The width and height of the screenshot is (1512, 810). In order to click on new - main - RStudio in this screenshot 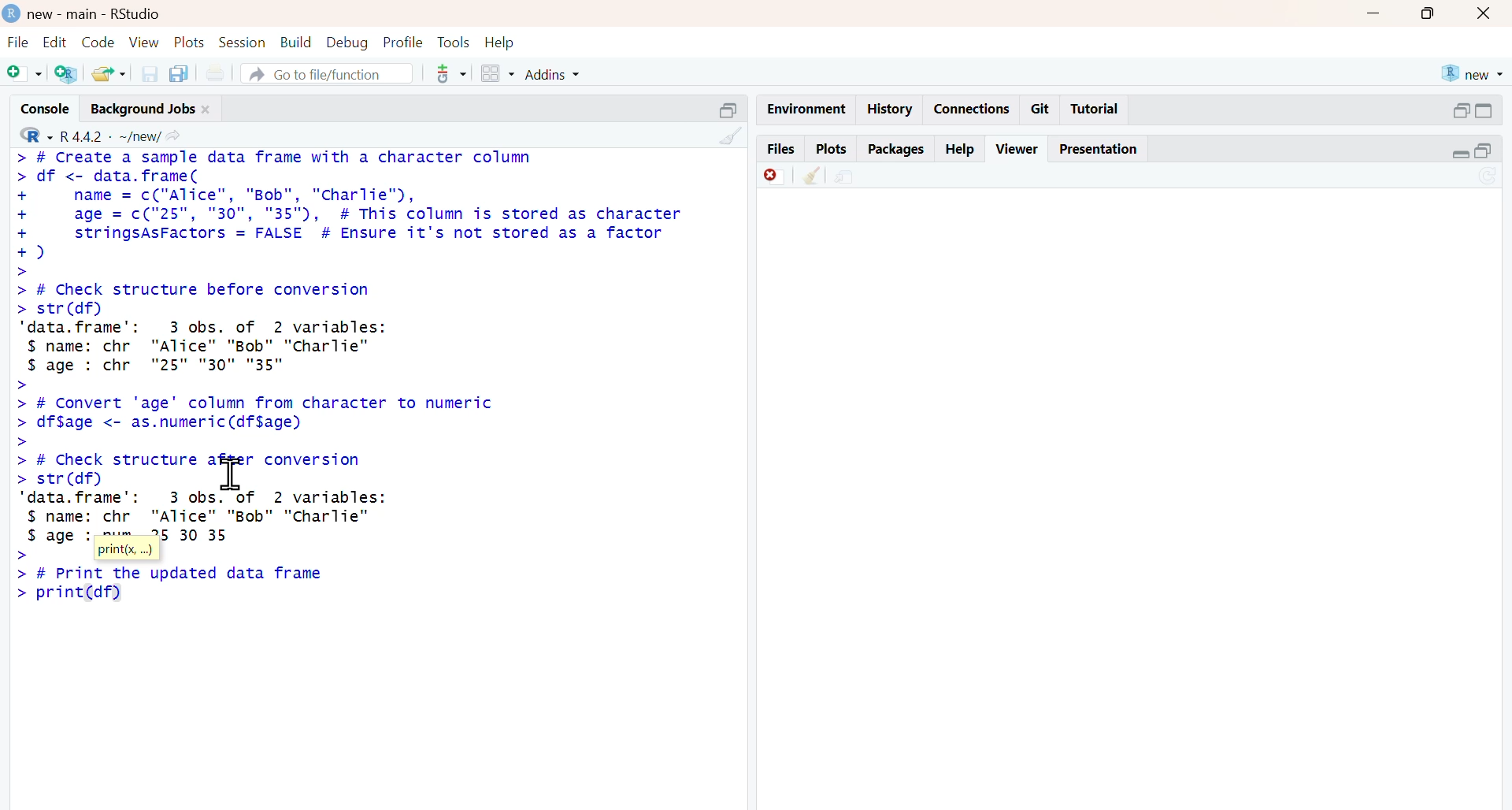, I will do `click(96, 14)`.